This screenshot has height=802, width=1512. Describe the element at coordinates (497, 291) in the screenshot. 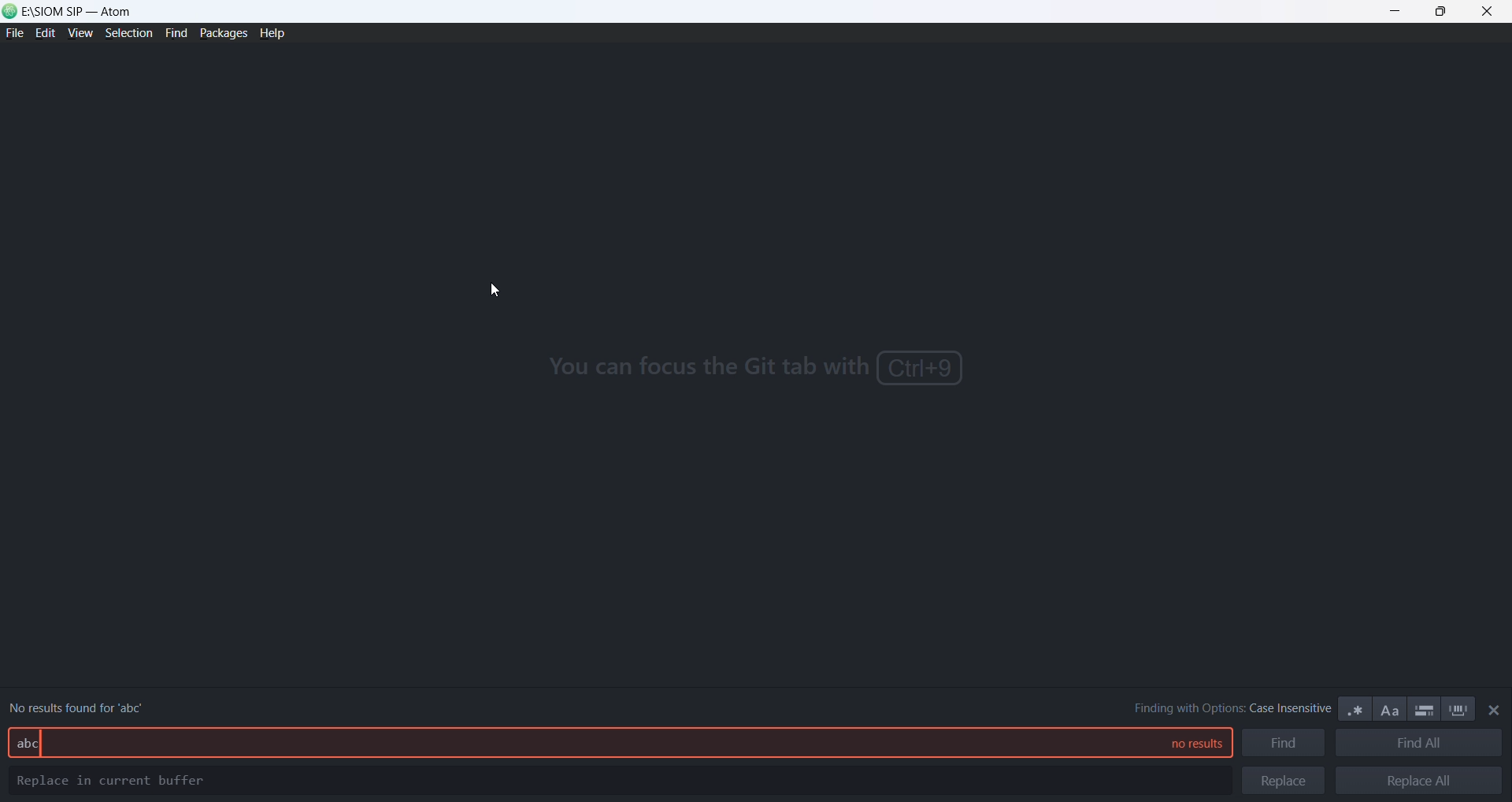

I see `cursor` at that location.